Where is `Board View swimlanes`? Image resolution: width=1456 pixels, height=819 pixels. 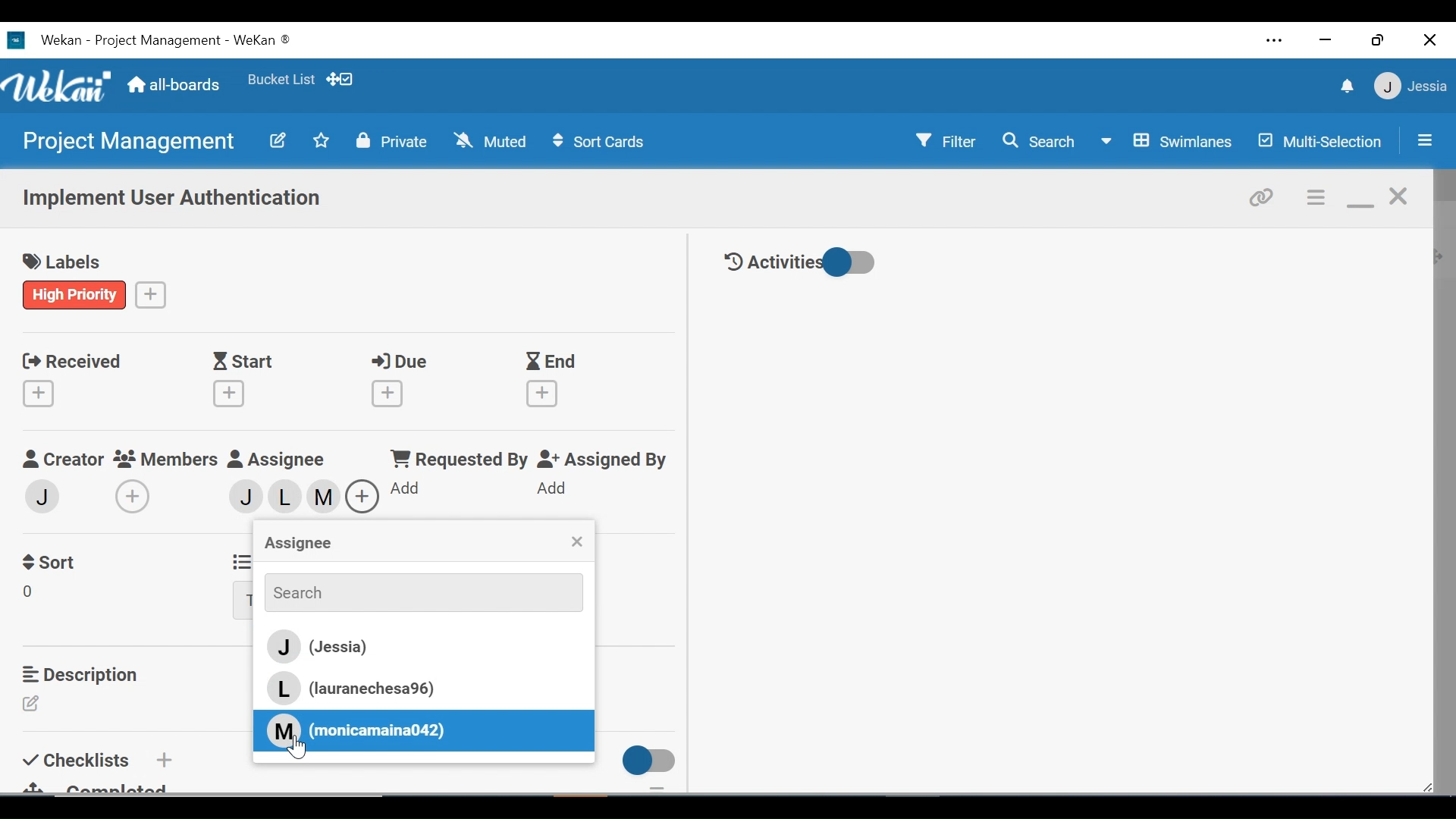 Board View swimlanes is located at coordinates (1169, 140).